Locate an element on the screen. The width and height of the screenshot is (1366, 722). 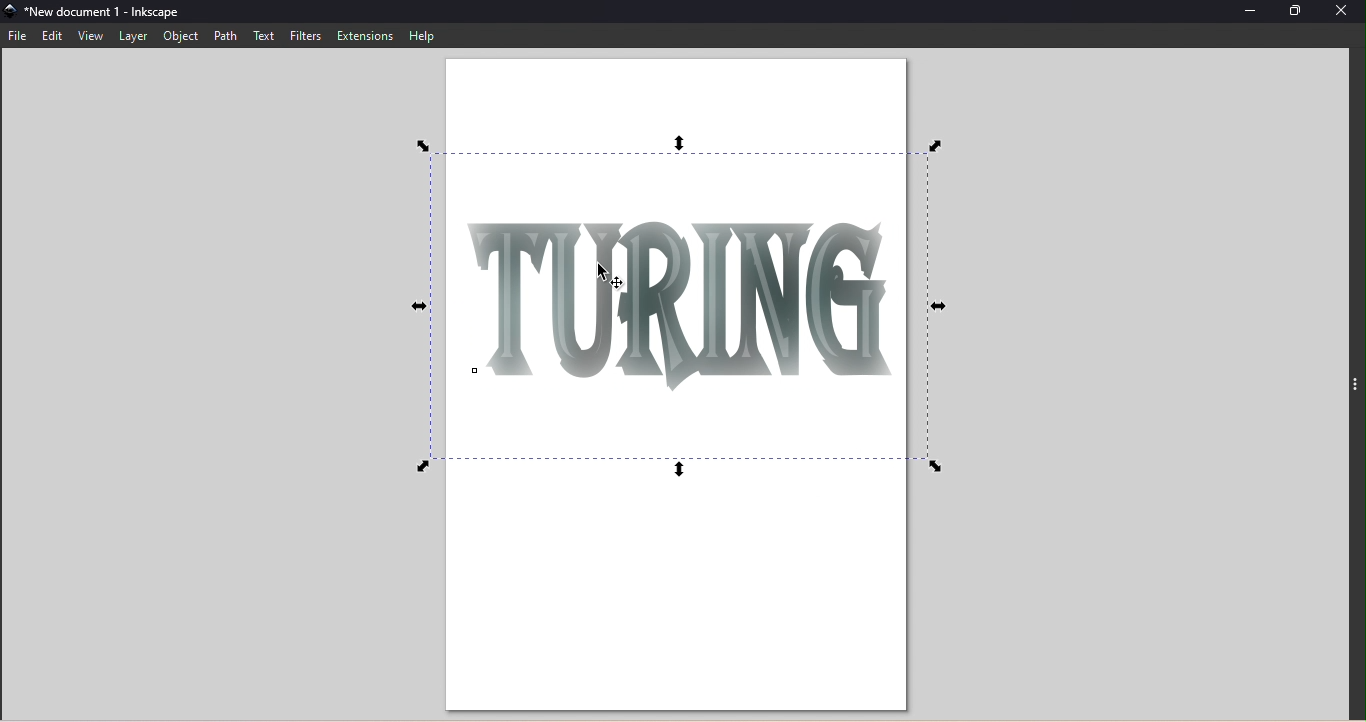
Layer is located at coordinates (135, 37).